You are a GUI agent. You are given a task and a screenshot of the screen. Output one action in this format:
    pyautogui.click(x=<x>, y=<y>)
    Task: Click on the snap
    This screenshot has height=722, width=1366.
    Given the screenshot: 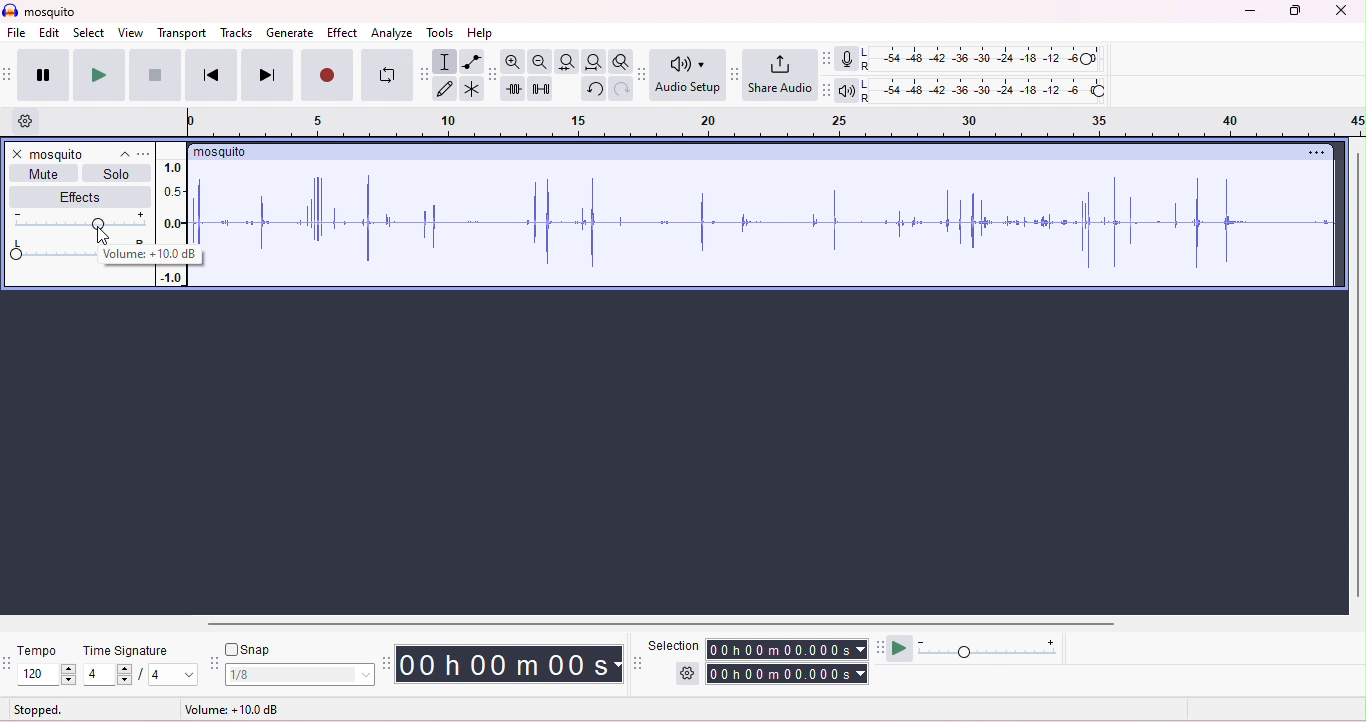 What is the action you would take?
    pyautogui.click(x=249, y=650)
    